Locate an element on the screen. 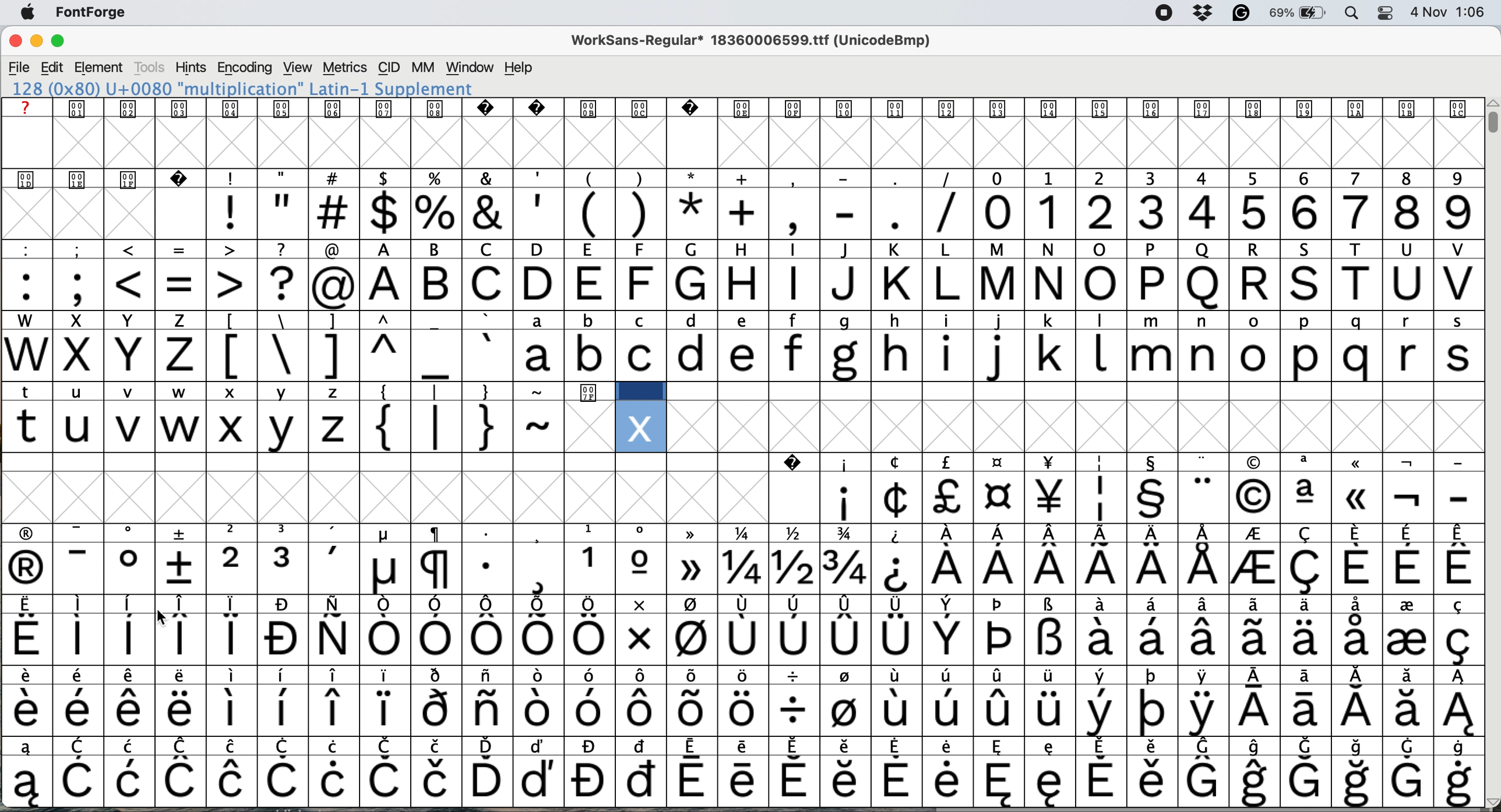 Image resolution: width=1501 pixels, height=812 pixels. battery is located at coordinates (1298, 13).